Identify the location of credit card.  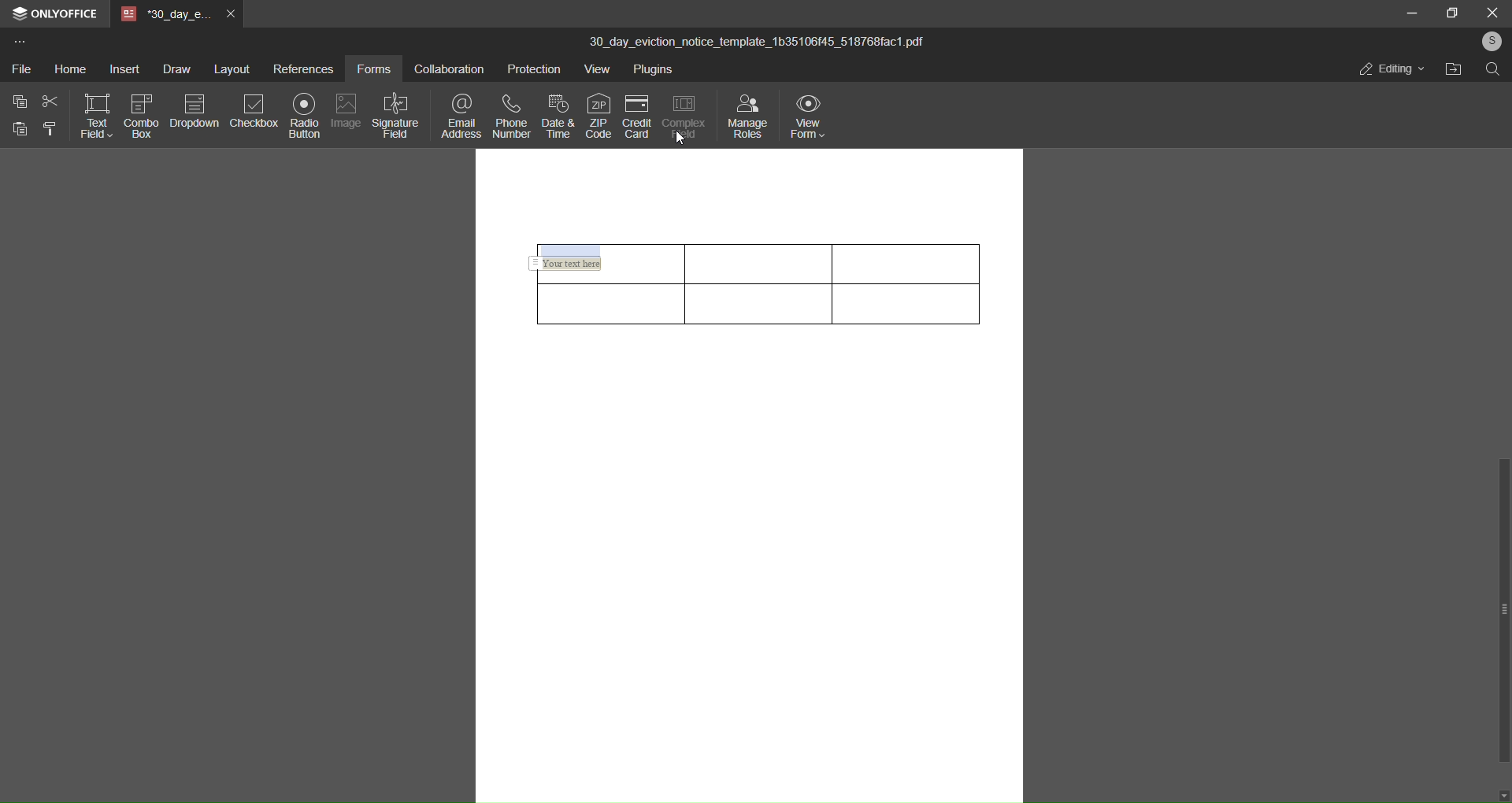
(636, 116).